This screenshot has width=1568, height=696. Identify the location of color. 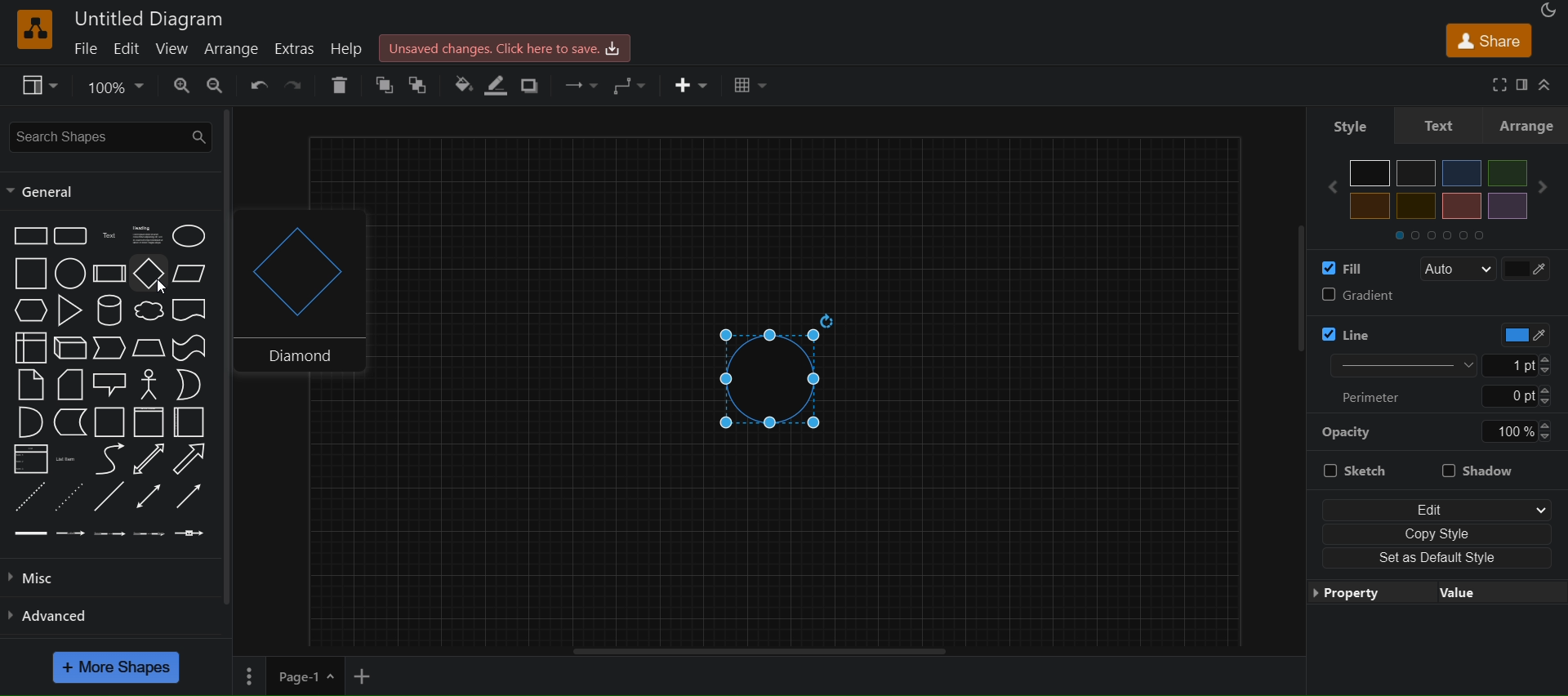
(1517, 334).